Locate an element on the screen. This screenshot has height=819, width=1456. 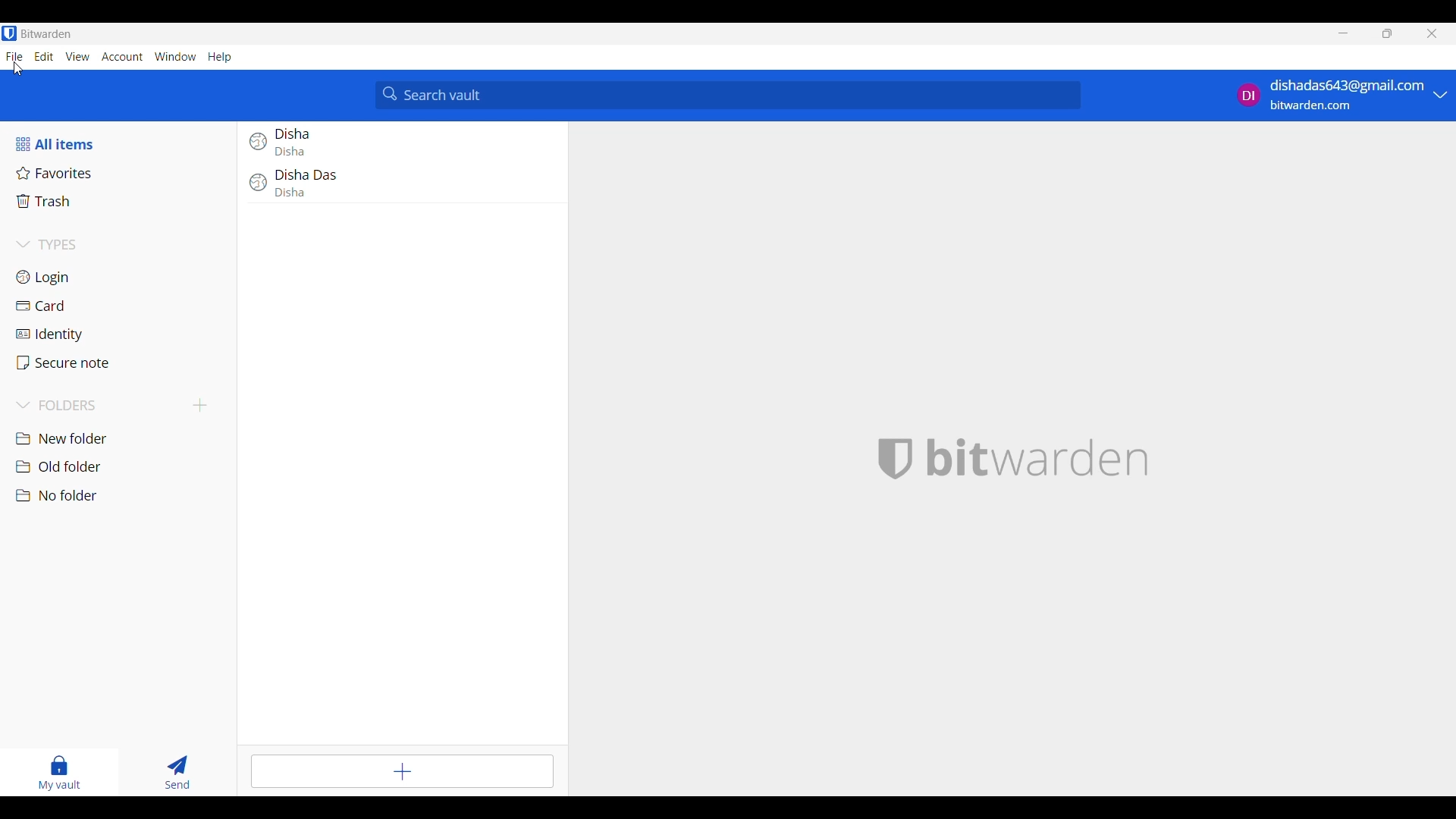
View menu is located at coordinates (77, 57).